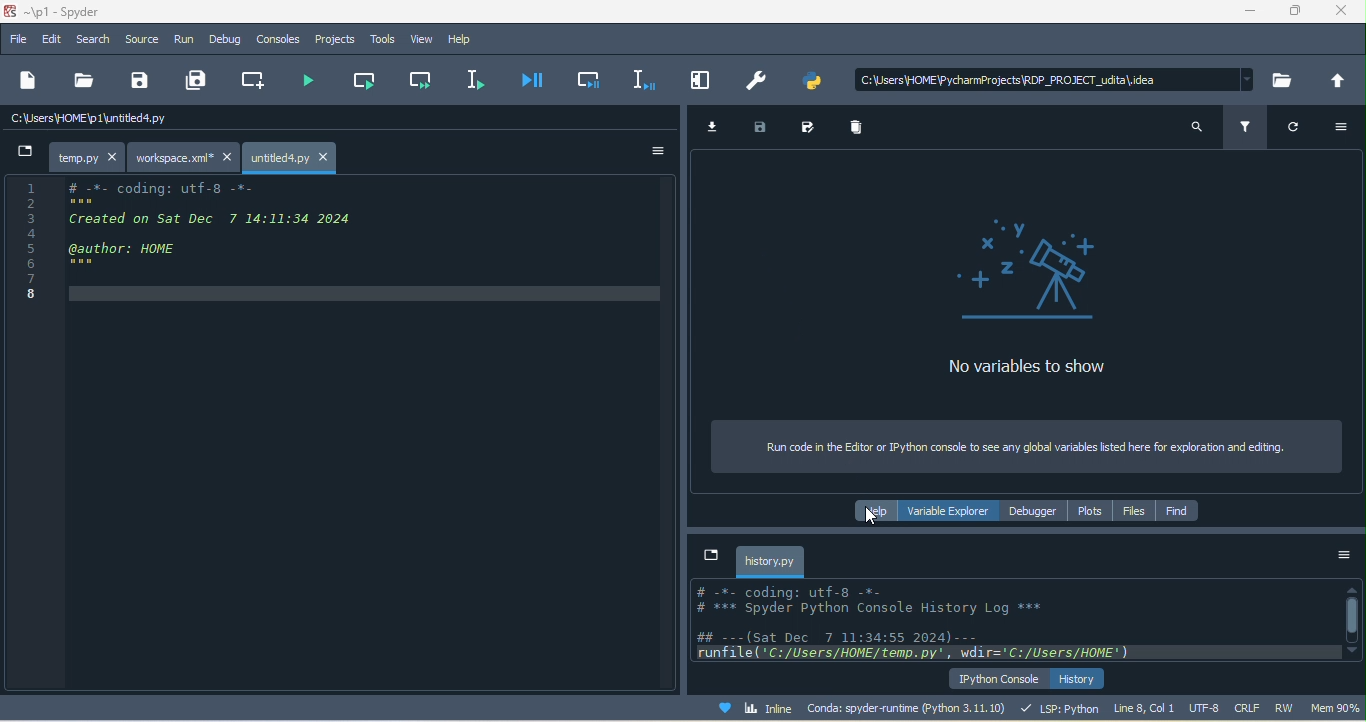 This screenshot has height=722, width=1366. Describe the element at coordinates (1250, 708) in the screenshot. I see `crlf` at that location.